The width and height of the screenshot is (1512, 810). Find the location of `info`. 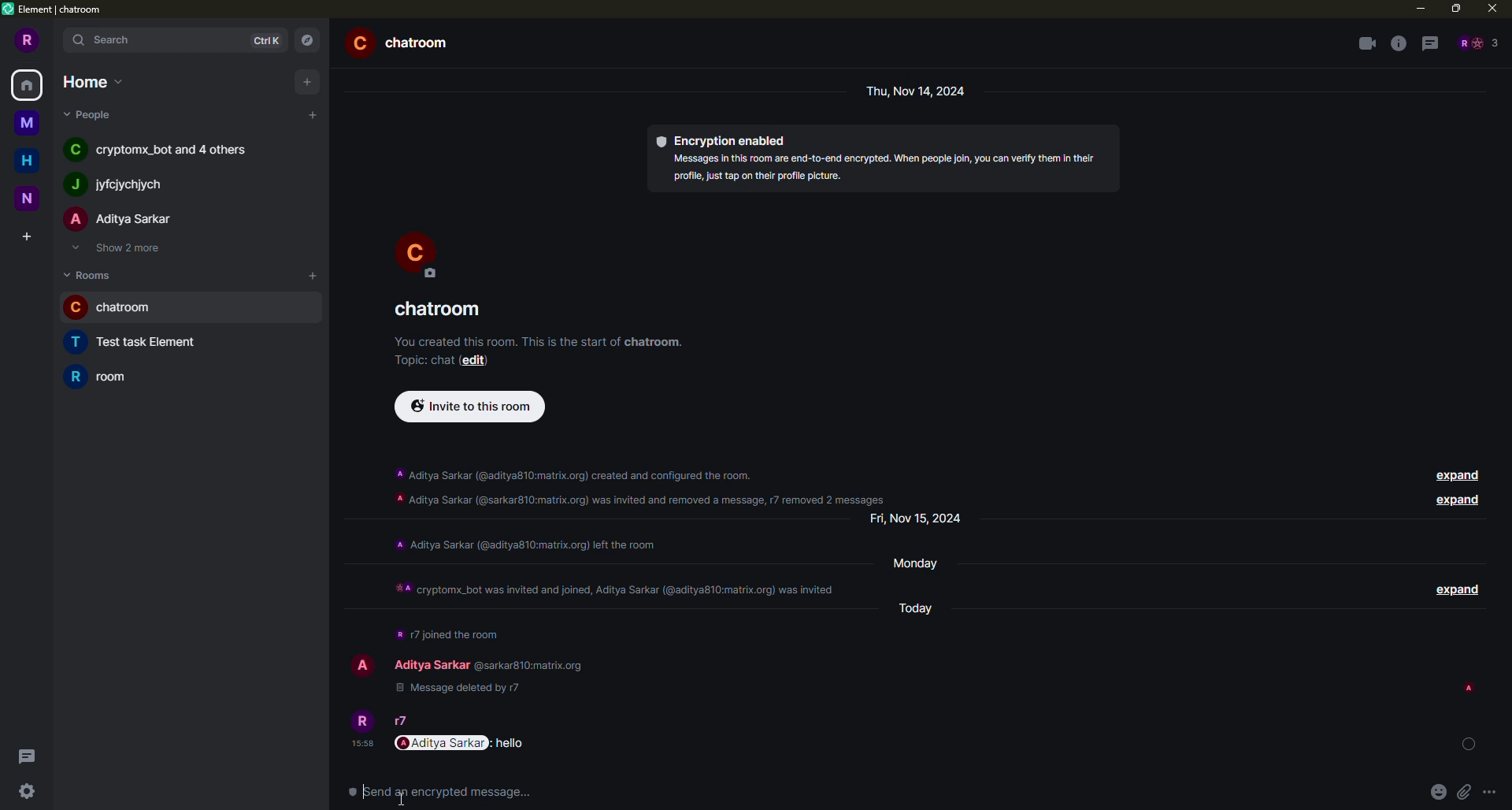

info is located at coordinates (539, 341).